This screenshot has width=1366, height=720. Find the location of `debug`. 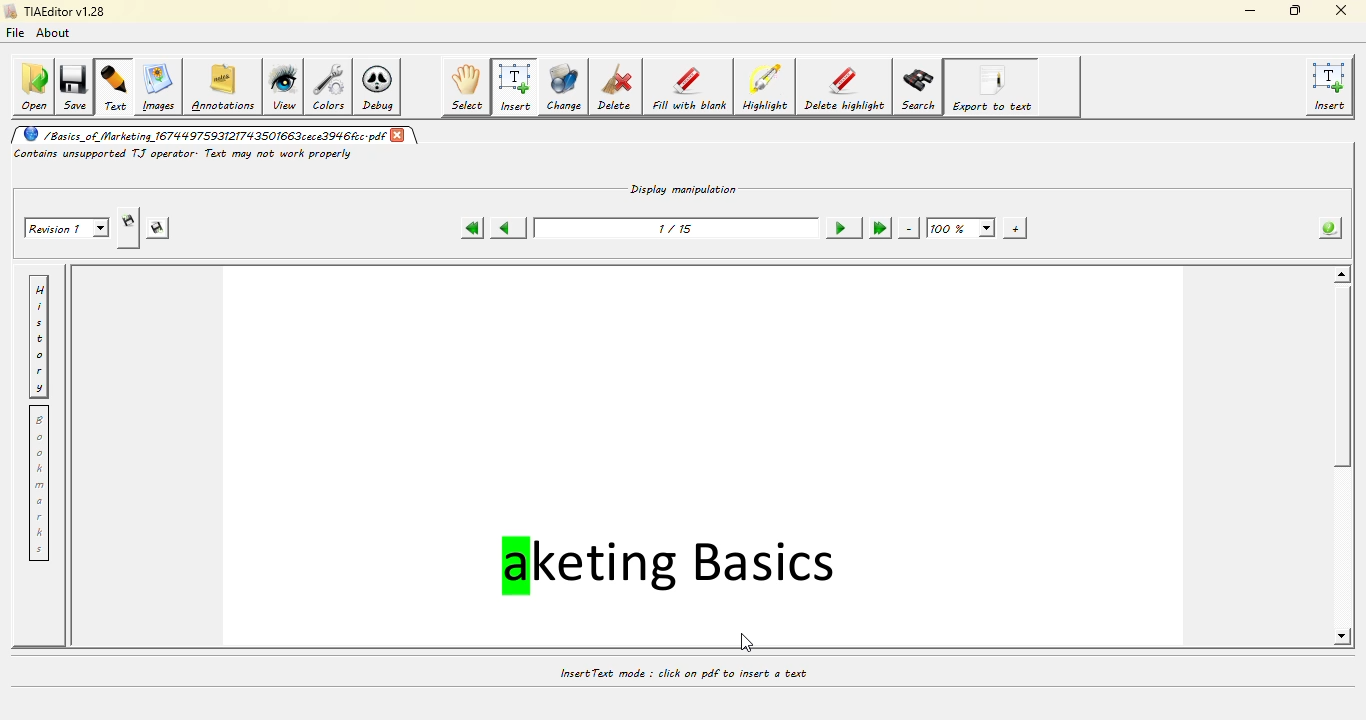

debug is located at coordinates (381, 89).